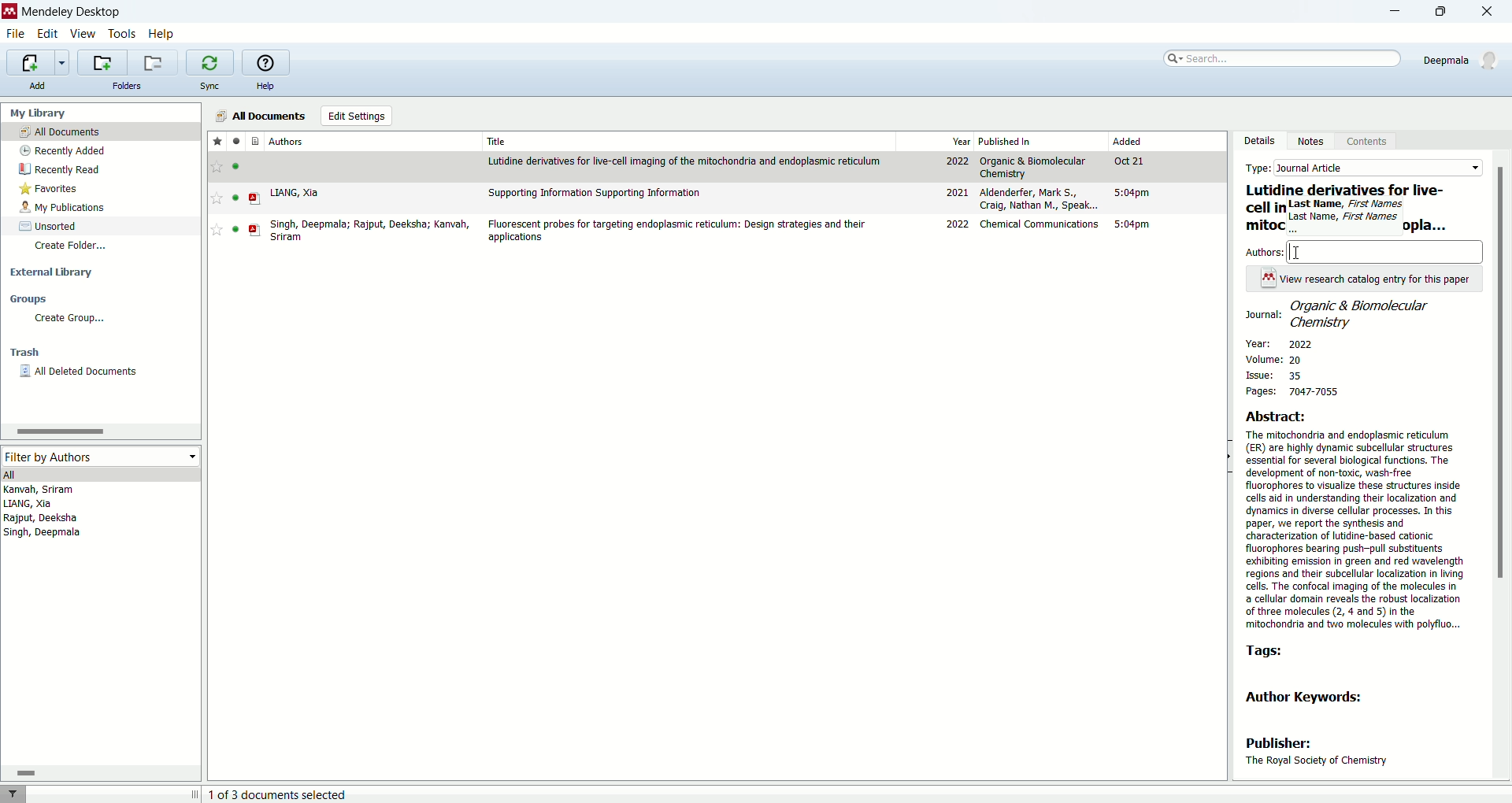 The image size is (1512, 803). Describe the element at coordinates (1345, 216) in the screenshot. I see `Last Kame, First Names
Last Name, Fst Hames` at that location.